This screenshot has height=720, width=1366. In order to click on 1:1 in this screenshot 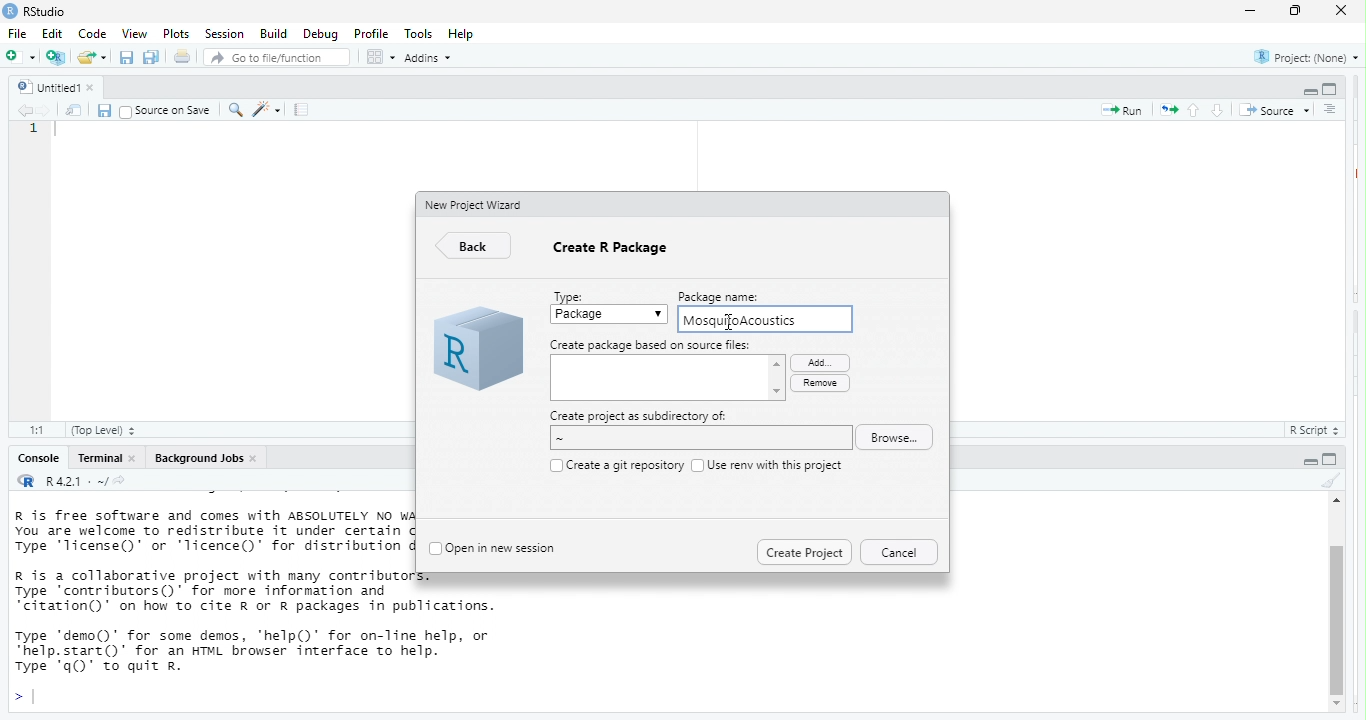, I will do `click(34, 429)`.